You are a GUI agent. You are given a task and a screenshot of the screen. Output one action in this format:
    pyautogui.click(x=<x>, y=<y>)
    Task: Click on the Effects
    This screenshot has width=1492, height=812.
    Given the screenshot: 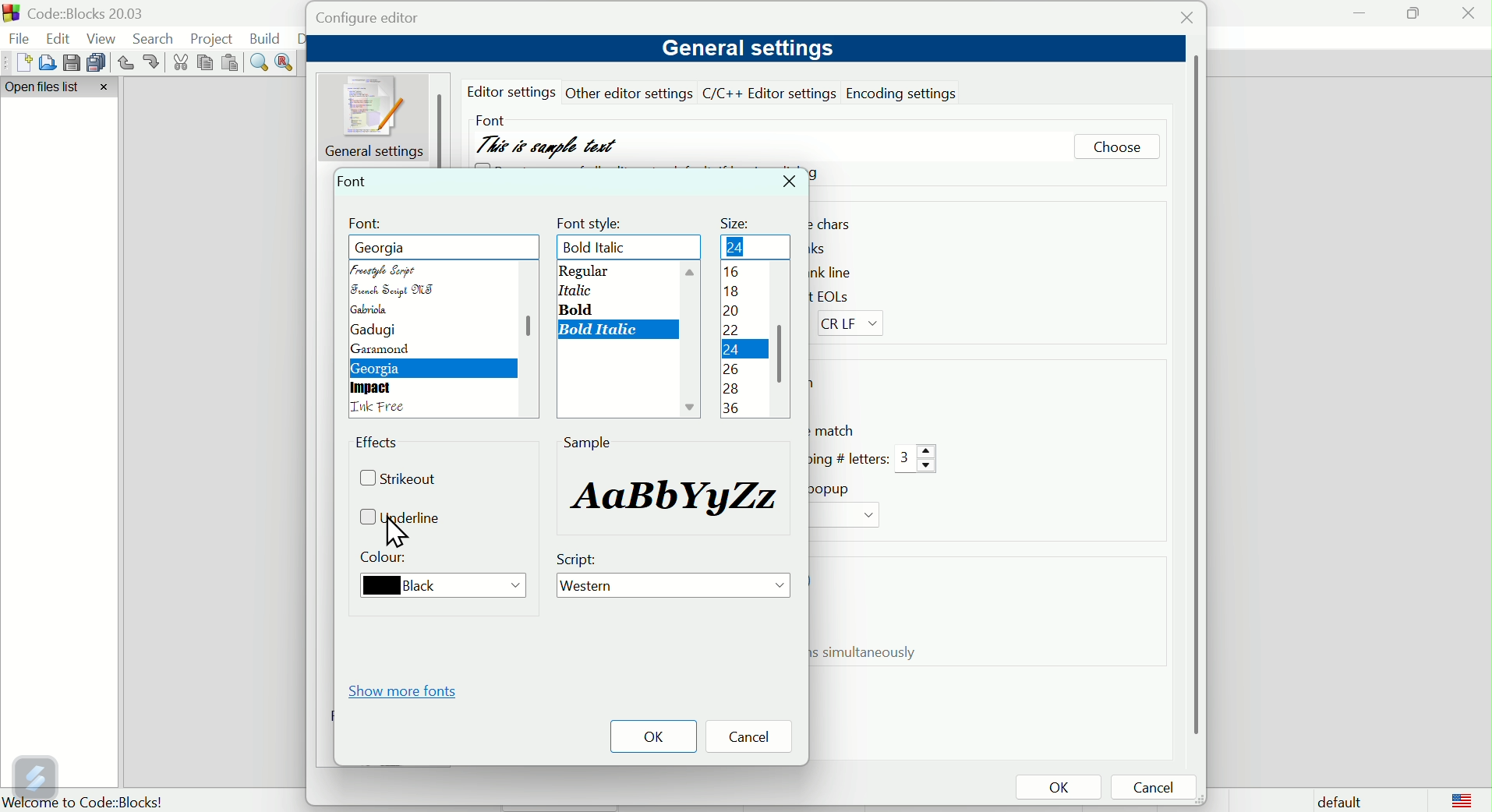 What is the action you would take?
    pyautogui.click(x=380, y=445)
    